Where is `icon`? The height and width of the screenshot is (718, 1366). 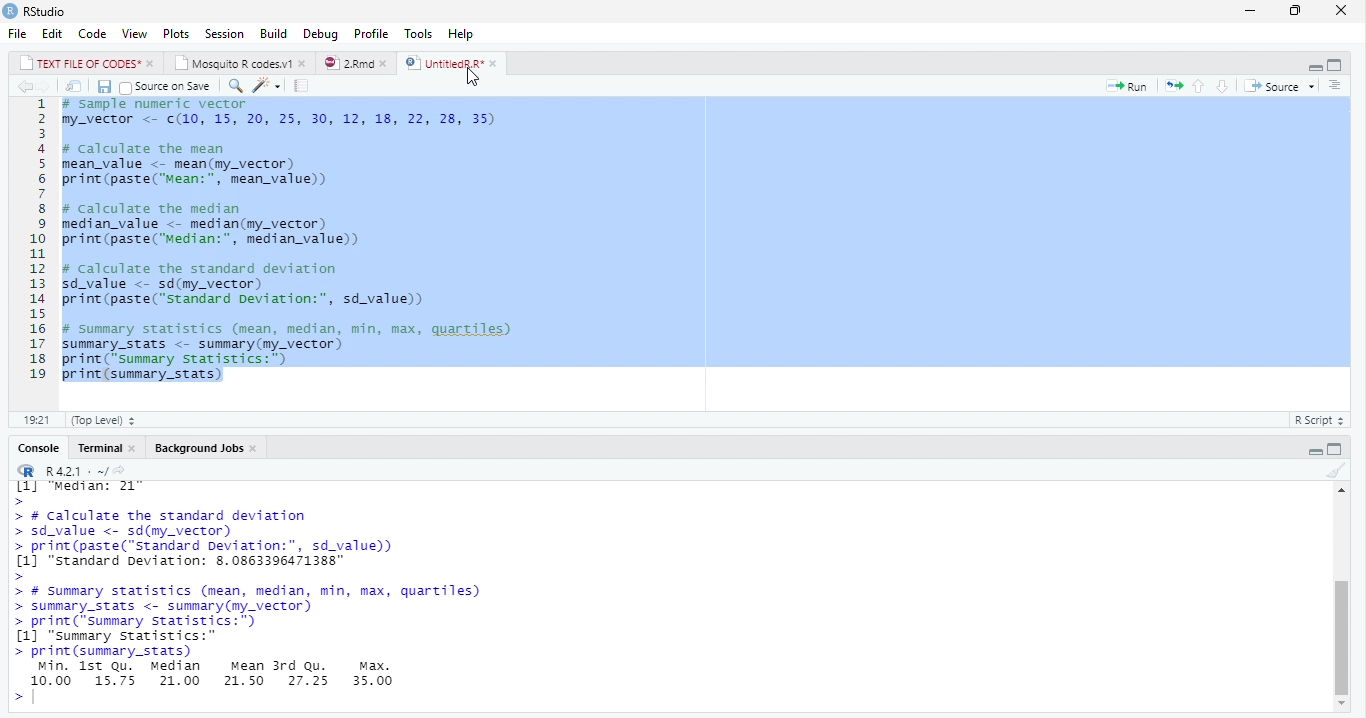 icon is located at coordinates (26, 471).